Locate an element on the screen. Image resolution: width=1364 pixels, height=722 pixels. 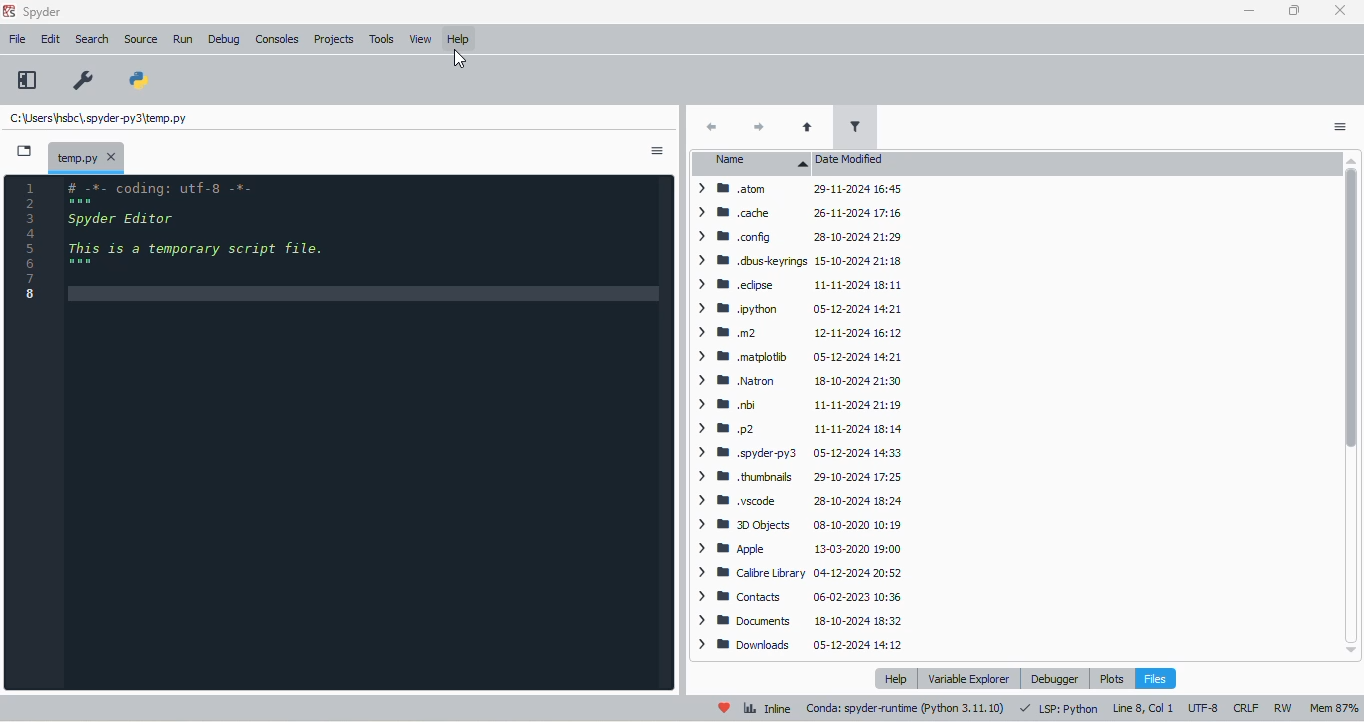
name is located at coordinates (752, 162).